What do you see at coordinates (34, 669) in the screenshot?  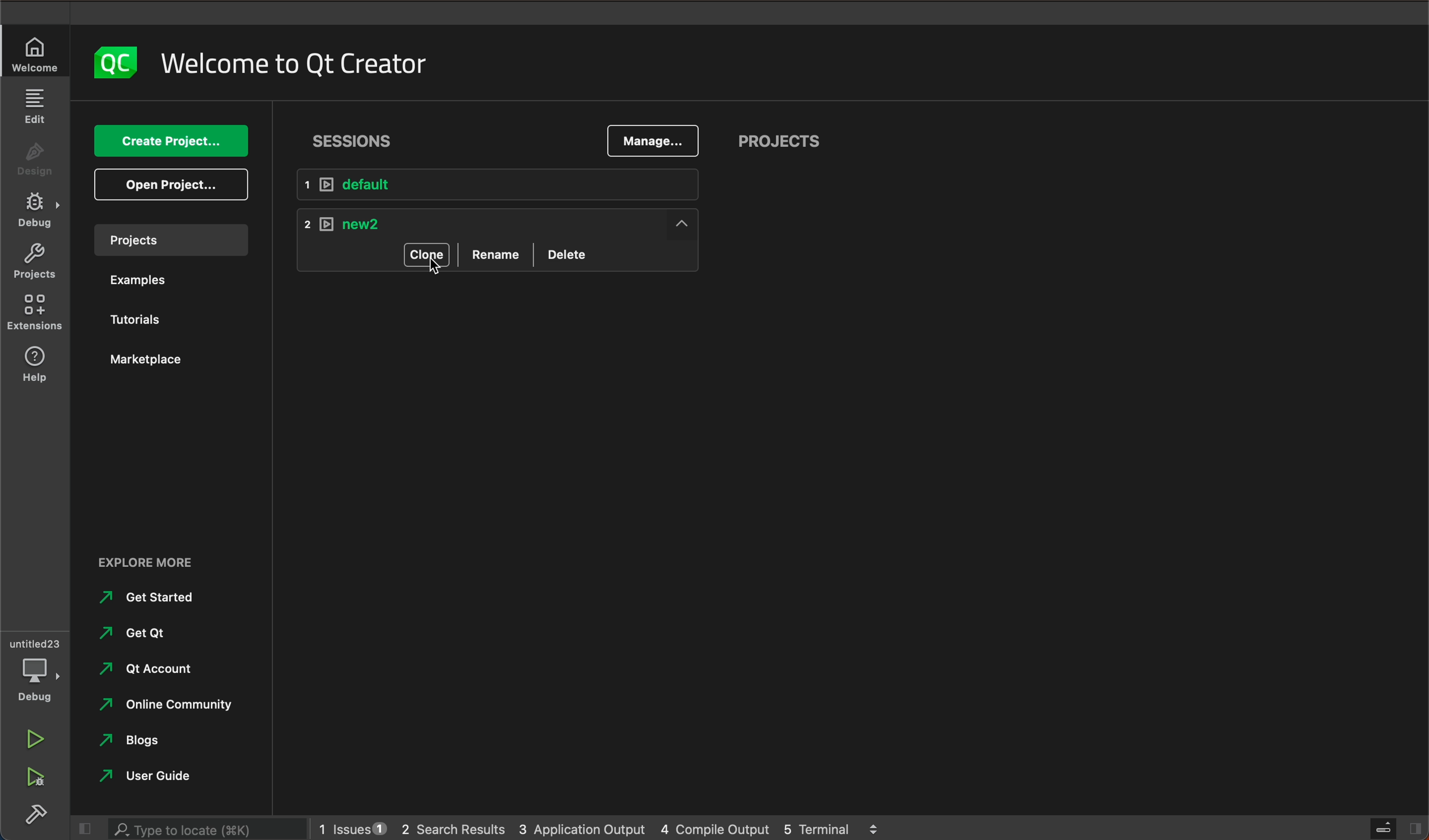 I see `debug` at bounding box center [34, 669].